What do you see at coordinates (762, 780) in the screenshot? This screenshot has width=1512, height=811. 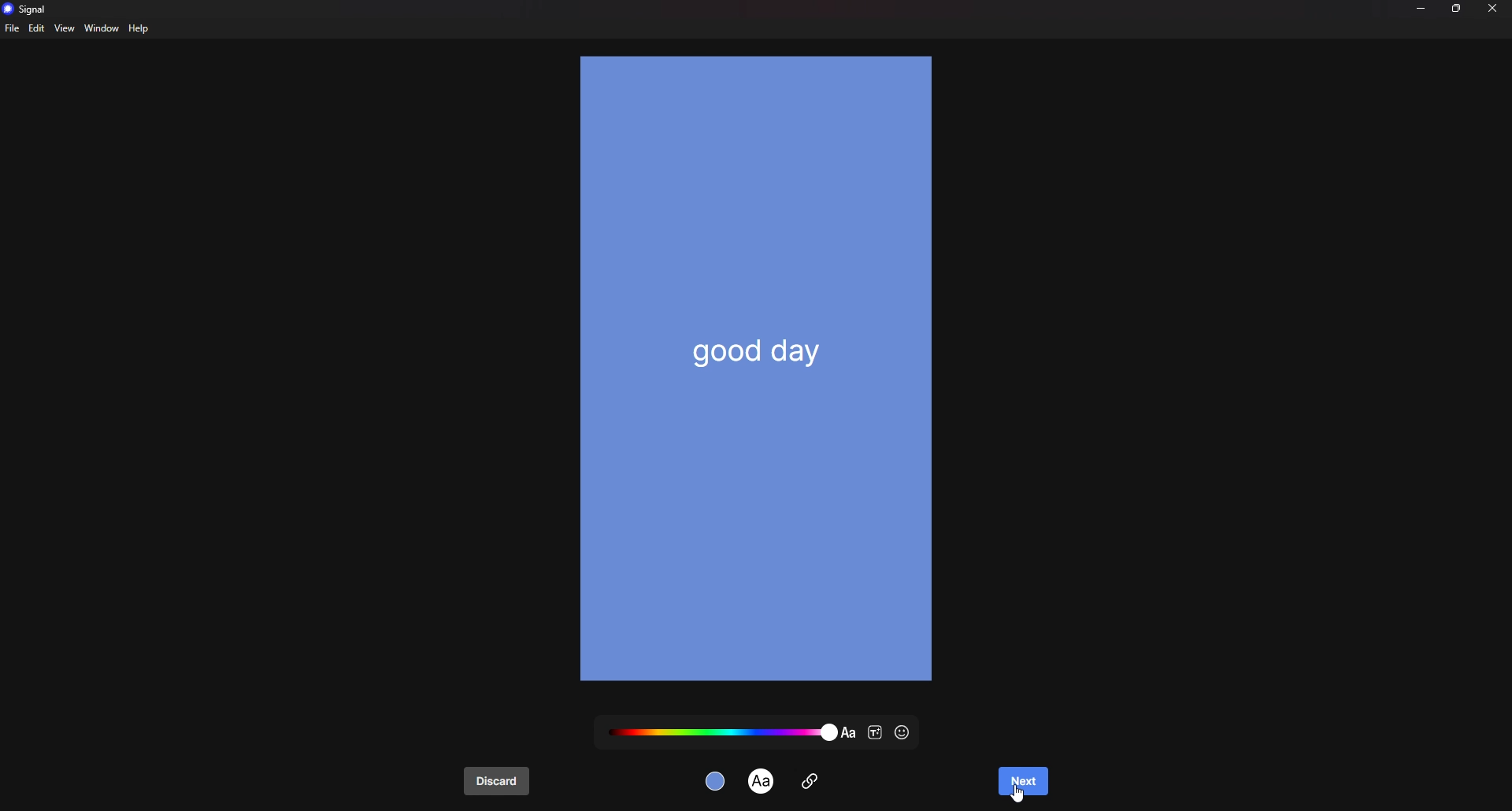 I see `text` at bounding box center [762, 780].